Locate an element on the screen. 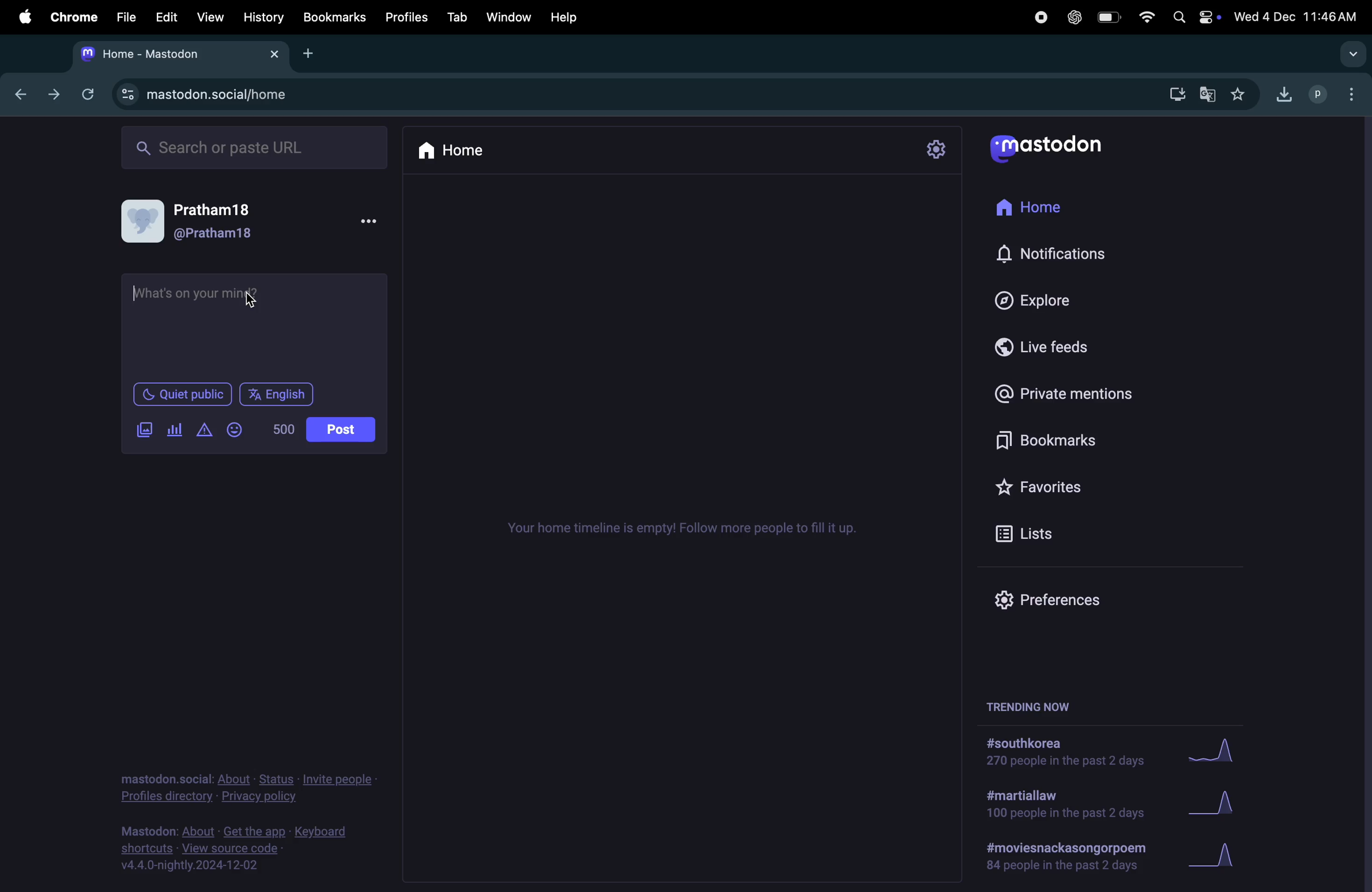 The image size is (1372, 892). setting is located at coordinates (937, 152).